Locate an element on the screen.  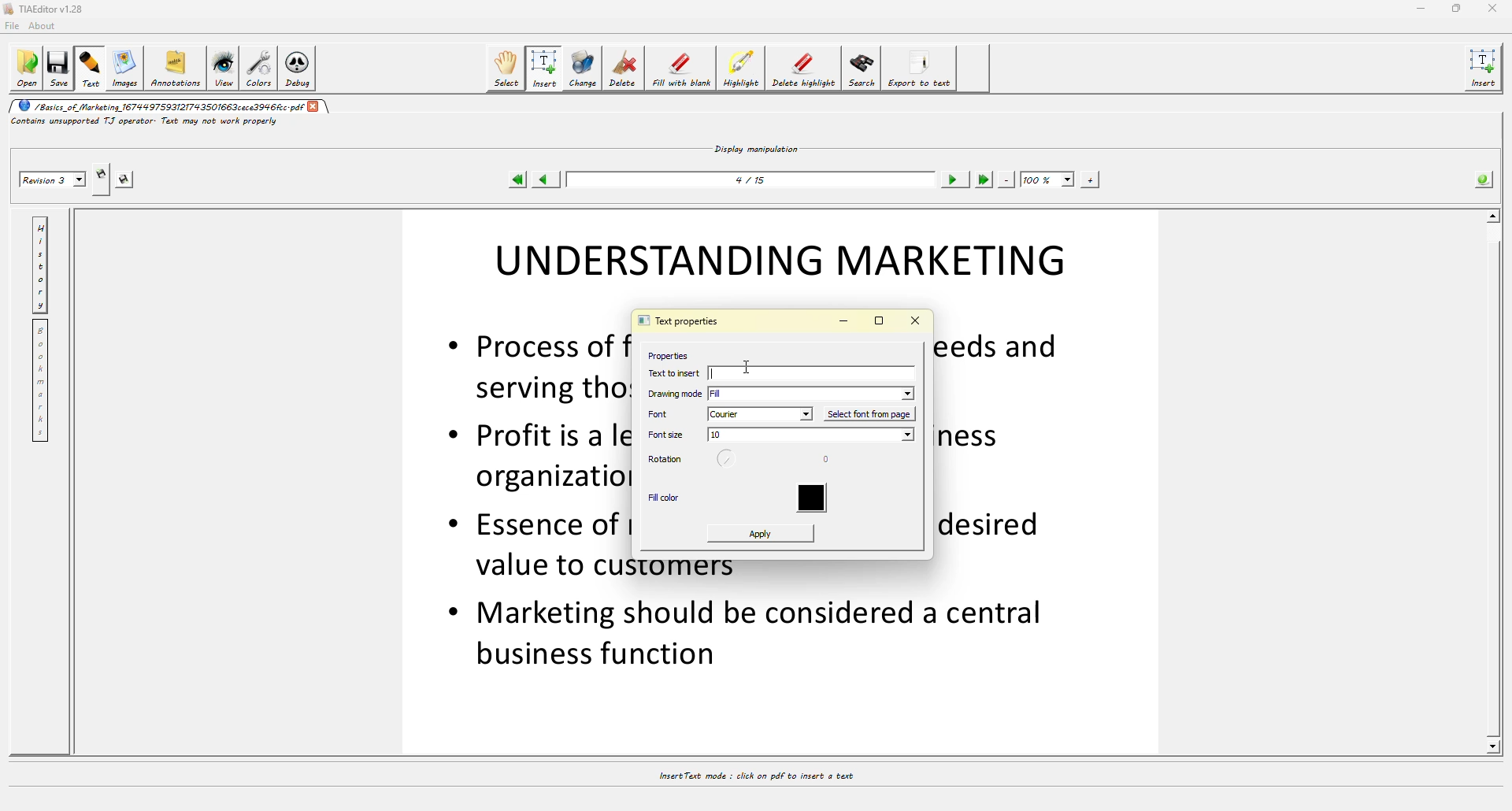
scroll up is located at coordinates (1493, 213).